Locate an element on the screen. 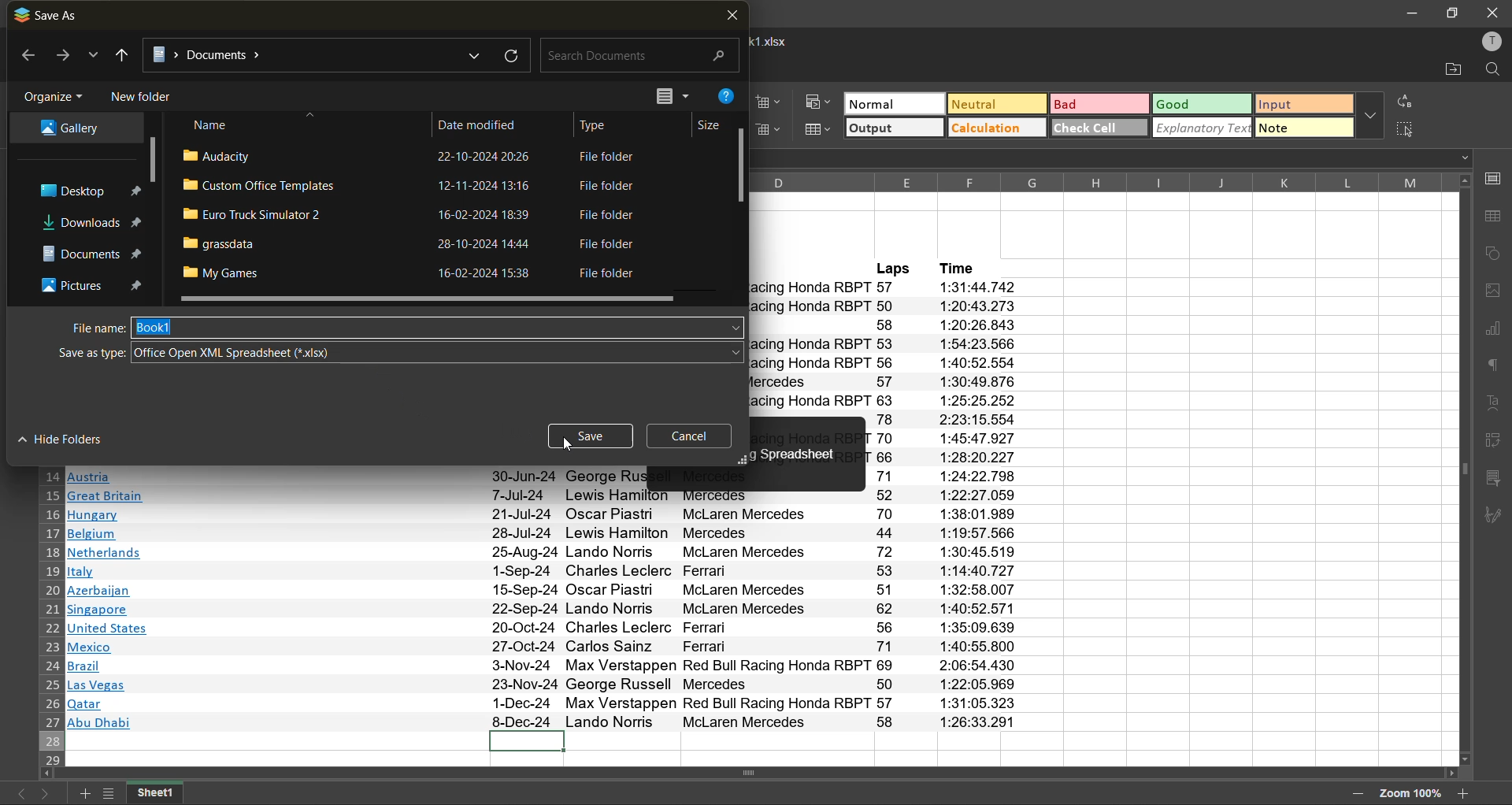  22-10-2024 20:26 is located at coordinates (474, 157).